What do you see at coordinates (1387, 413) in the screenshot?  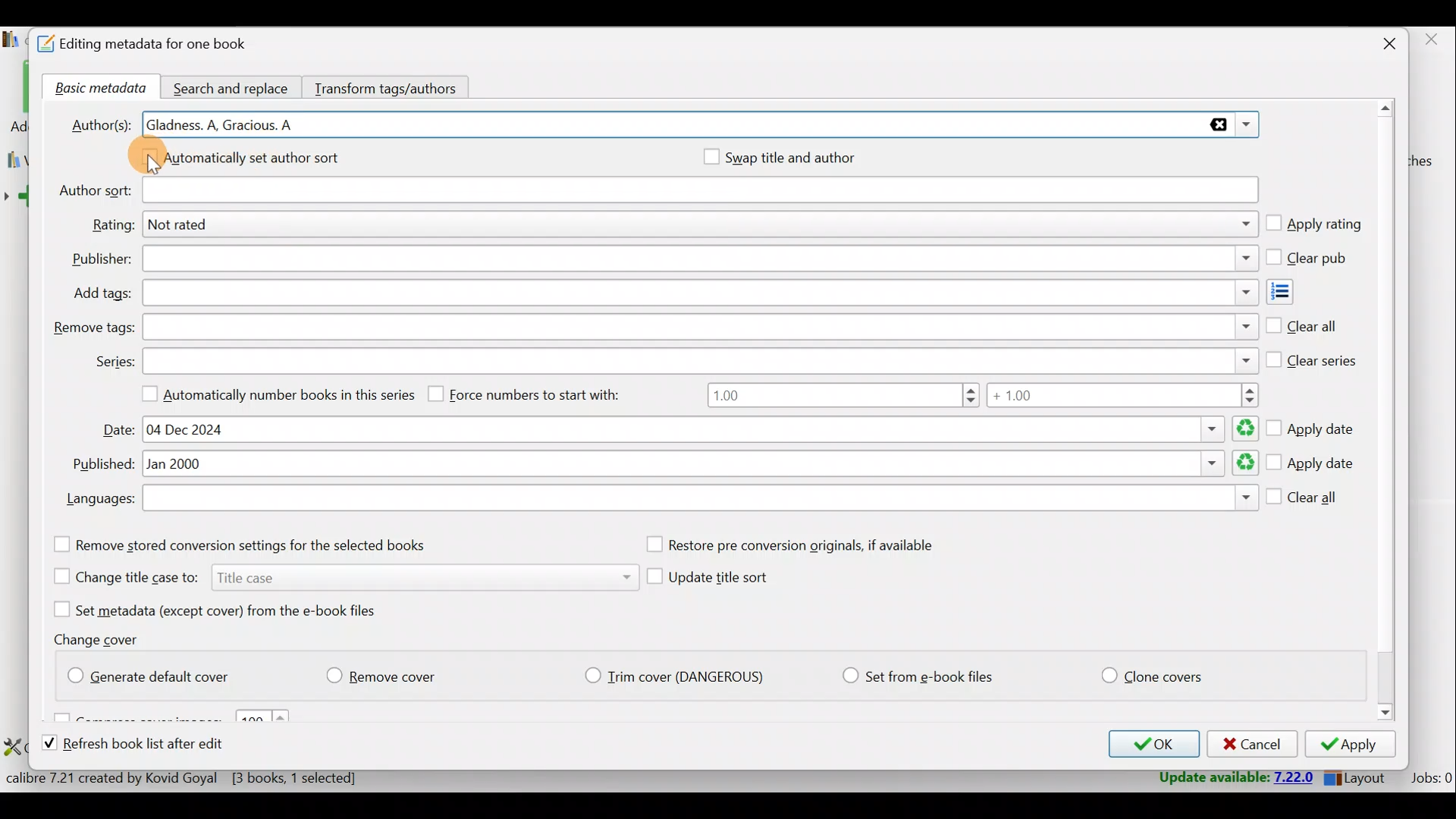 I see `Scroll bar` at bounding box center [1387, 413].